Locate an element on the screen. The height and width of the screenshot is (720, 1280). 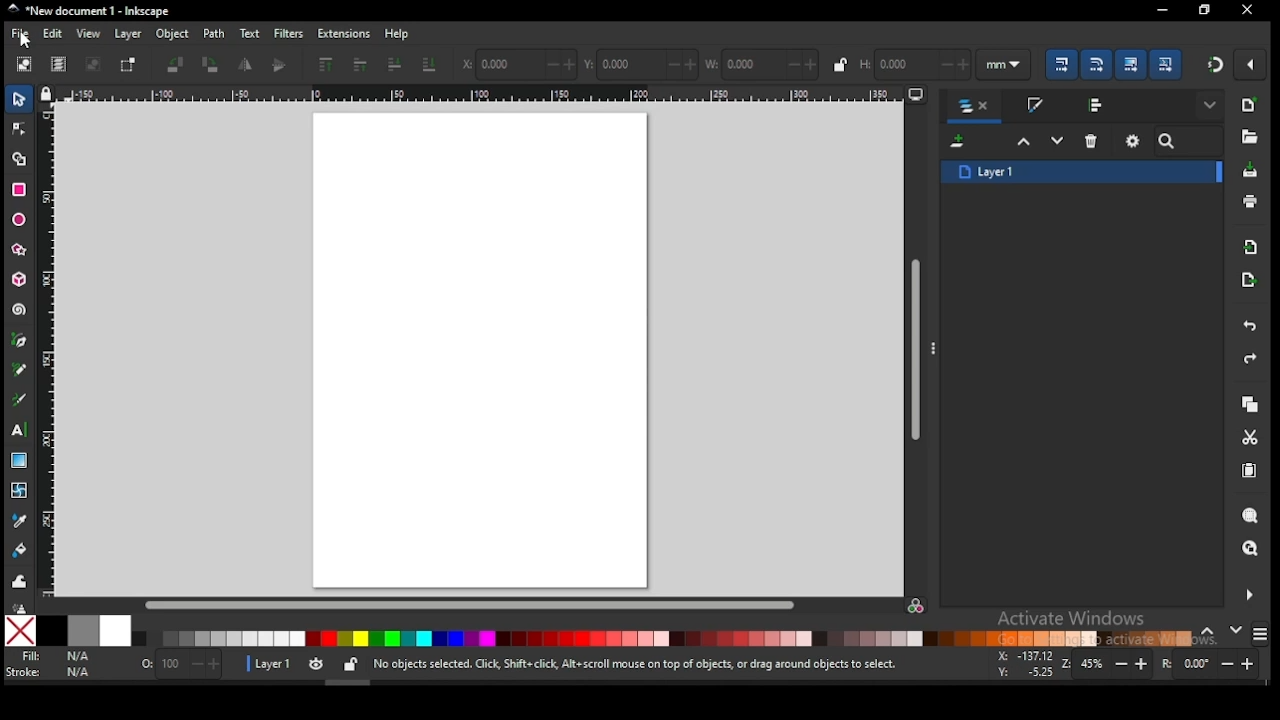
white is located at coordinates (115, 630).